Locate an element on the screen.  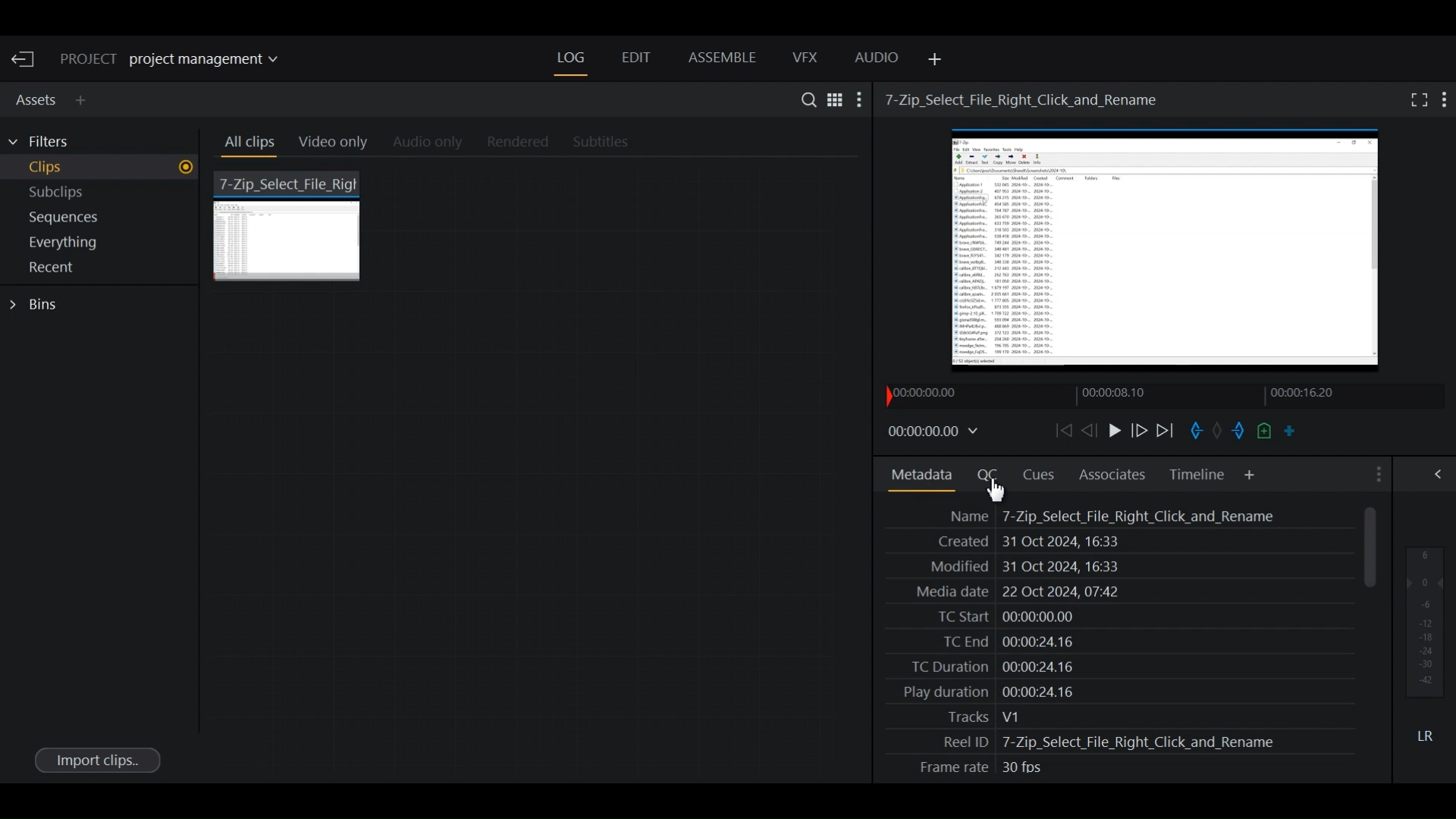
Show Subclips in current project is located at coordinates (103, 195).